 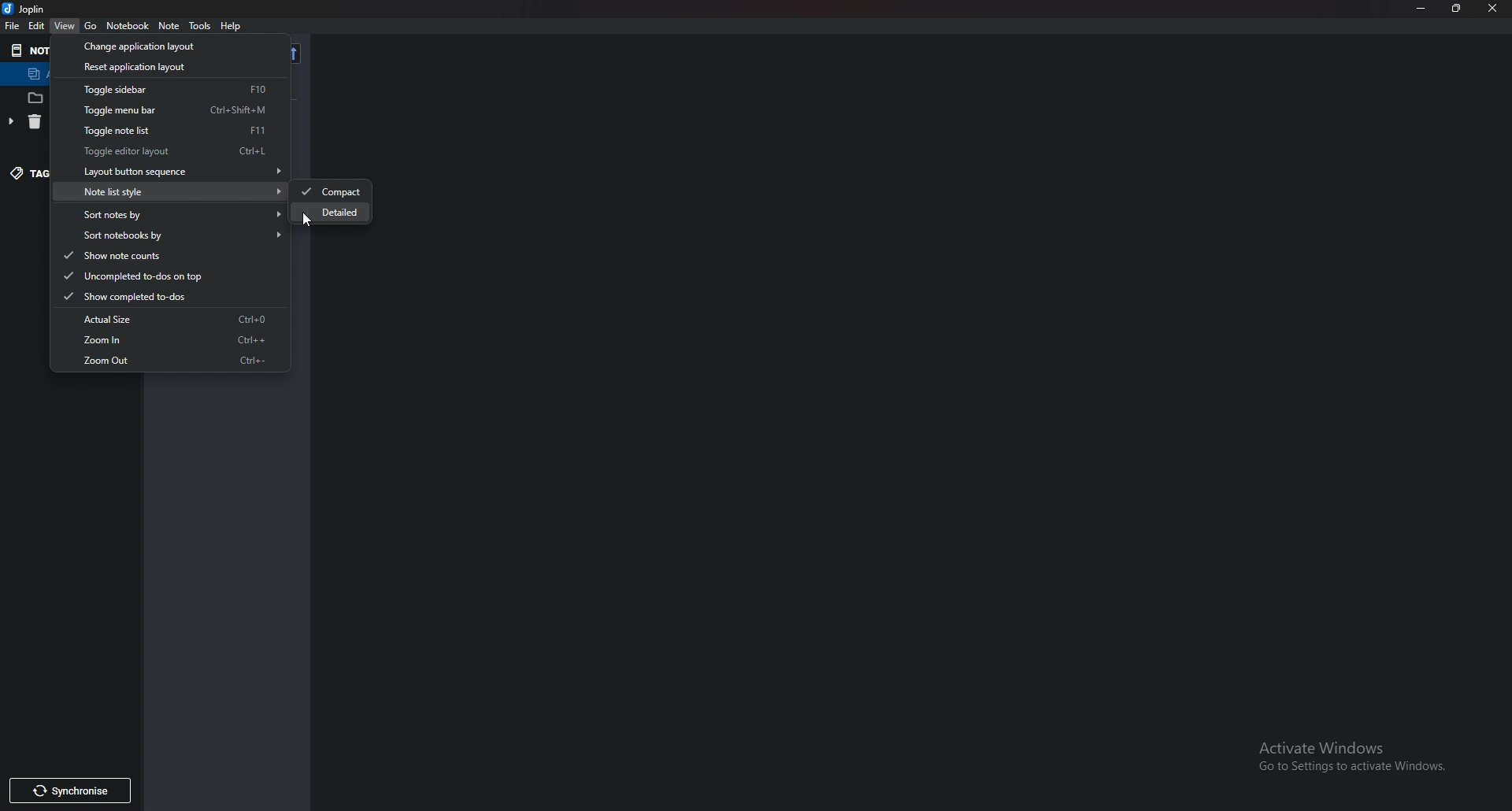 I want to click on Show note counts, so click(x=166, y=256).